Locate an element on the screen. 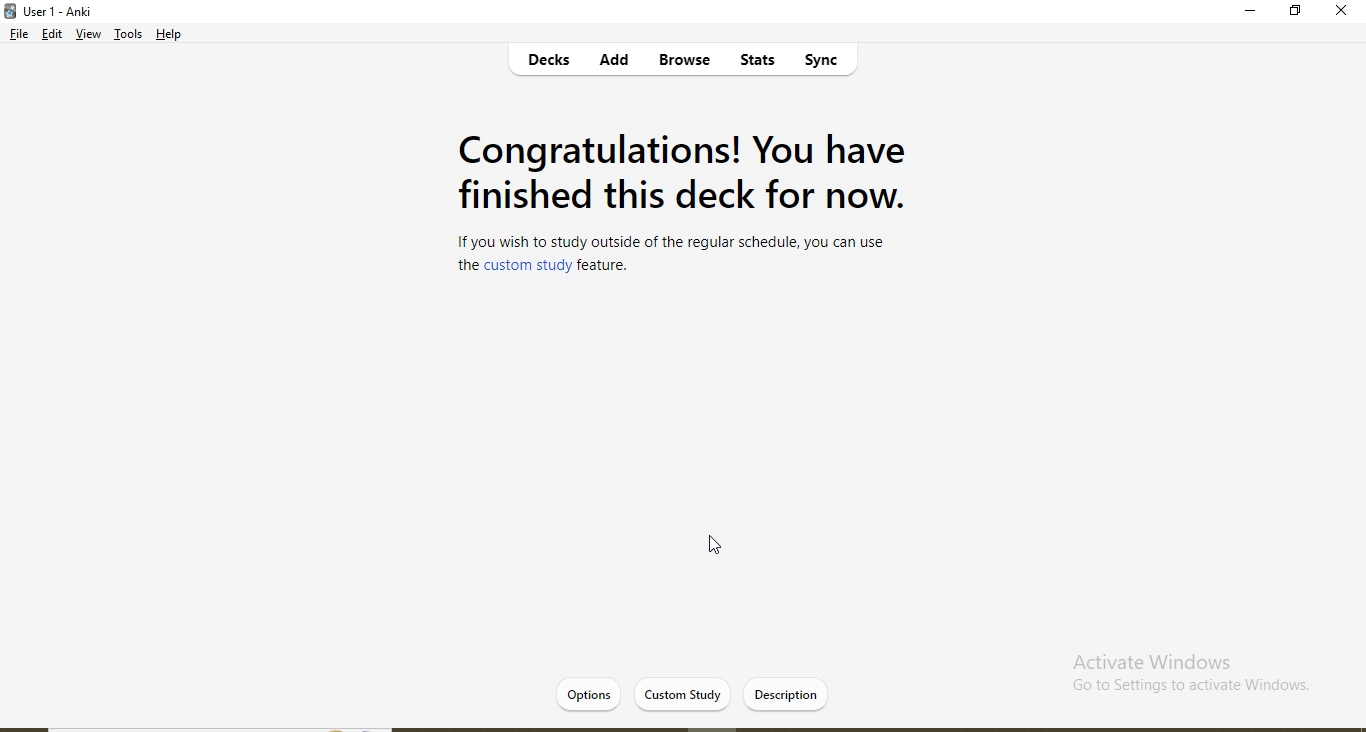 Image resolution: width=1366 pixels, height=732 pixels. file is located at coordinates (17, 36).